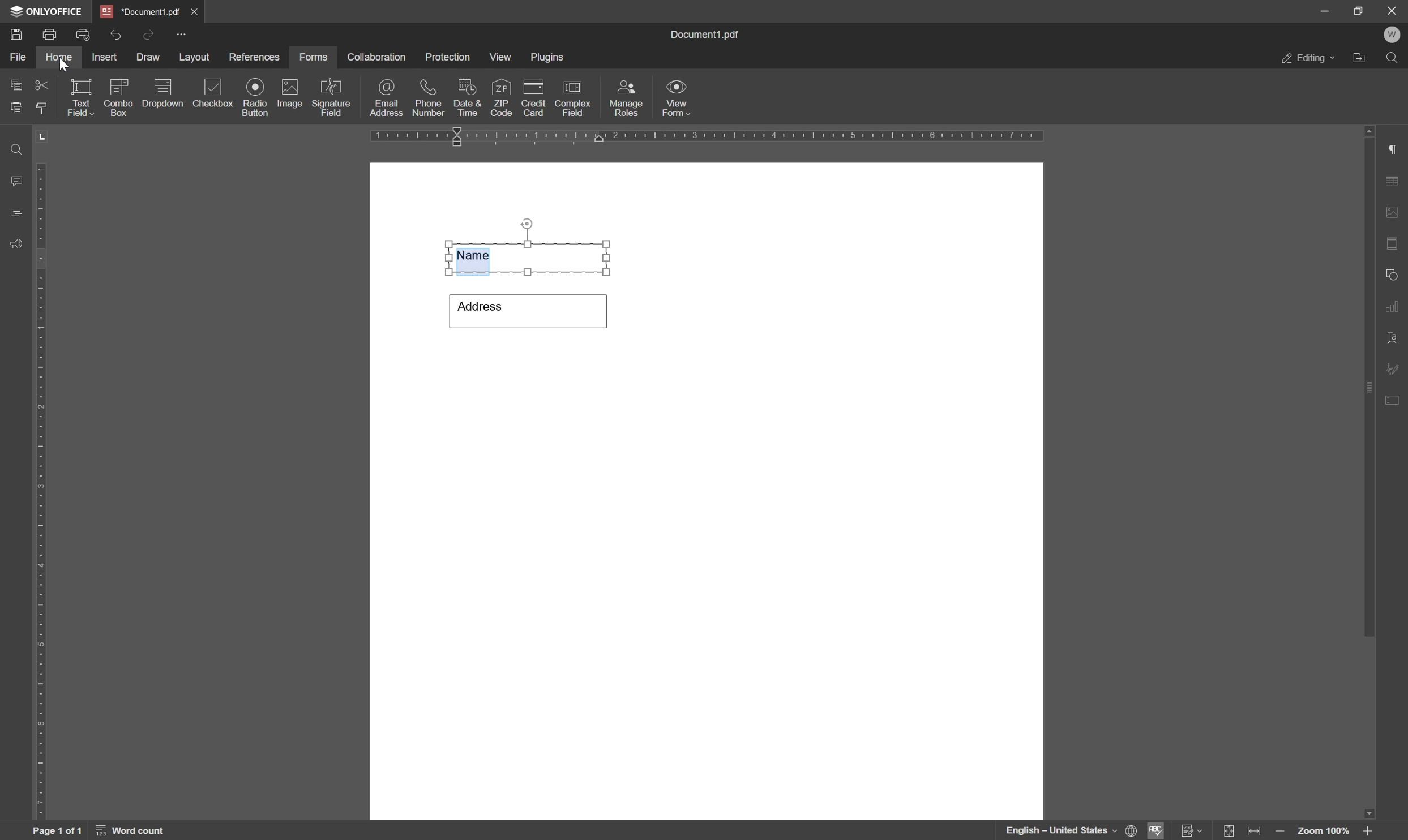 This screenshot has width=1408, height=840. Describe the element at coordinates (148, 33) in the screenshot. I see `redo` at that location.